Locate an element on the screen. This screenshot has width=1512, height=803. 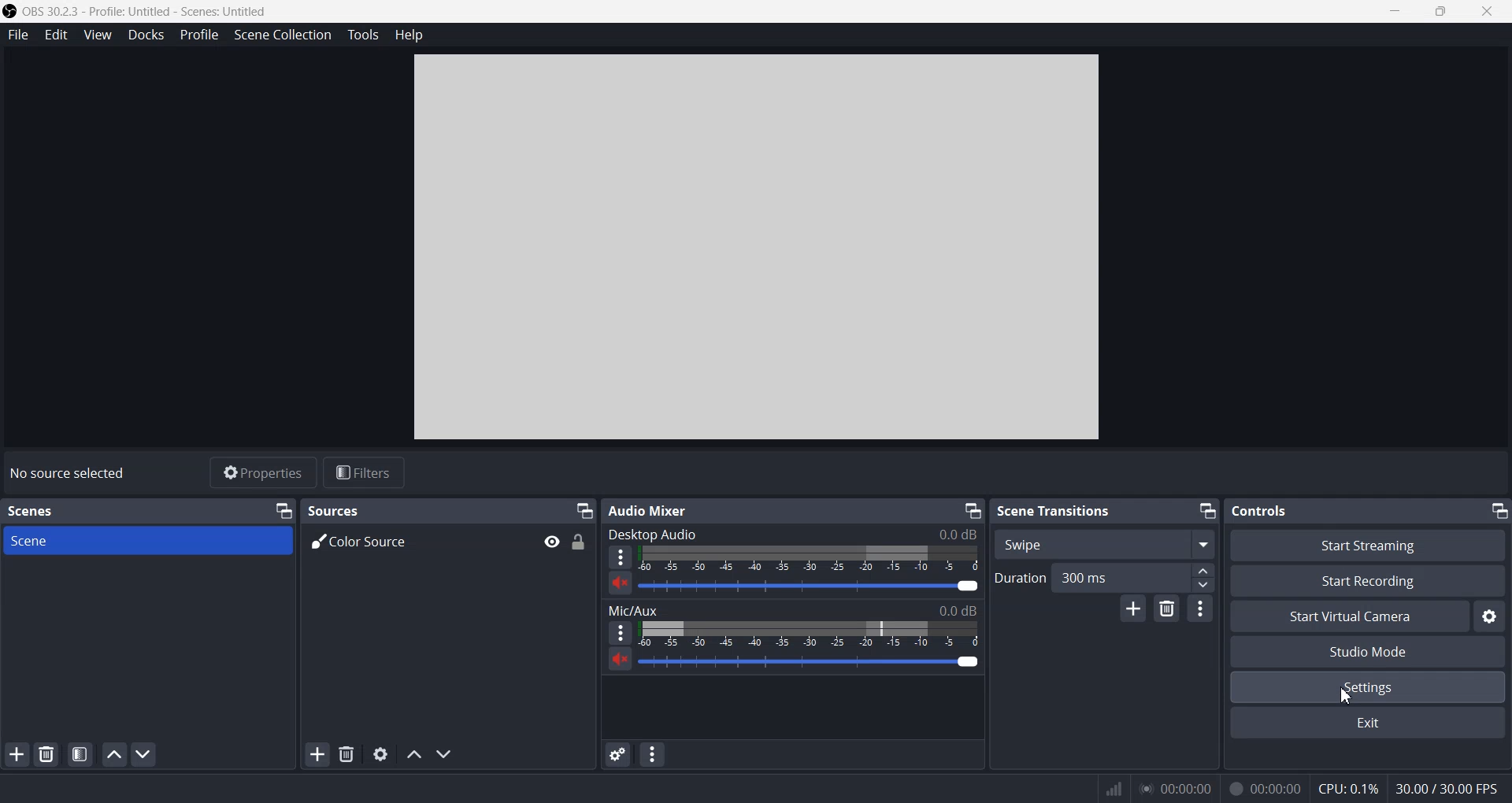
Text is located at coordinates (1052, 511).